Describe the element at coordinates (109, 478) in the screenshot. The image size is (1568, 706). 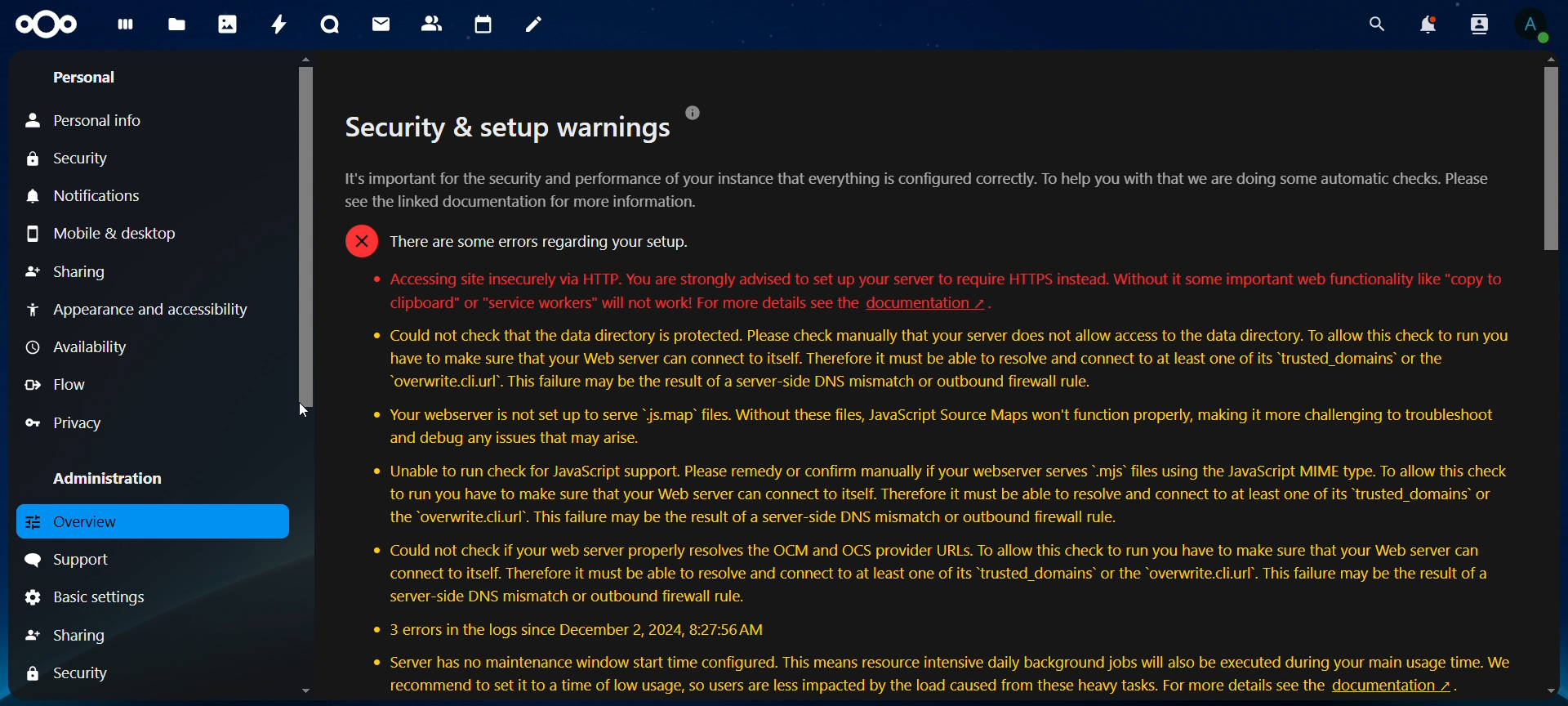
I see `administration` at that location.